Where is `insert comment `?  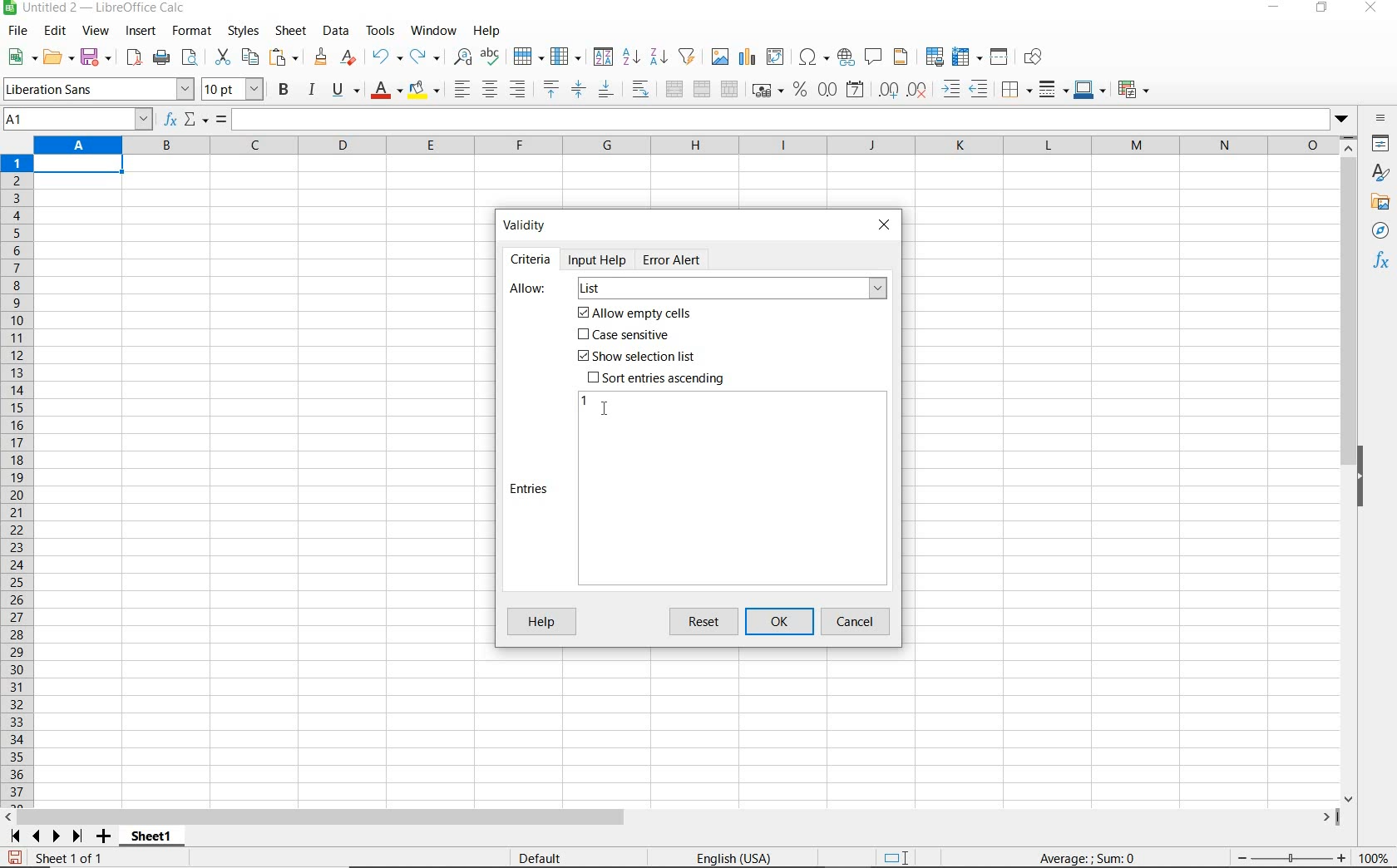 insert comment  is located at coordinates (874, 57).